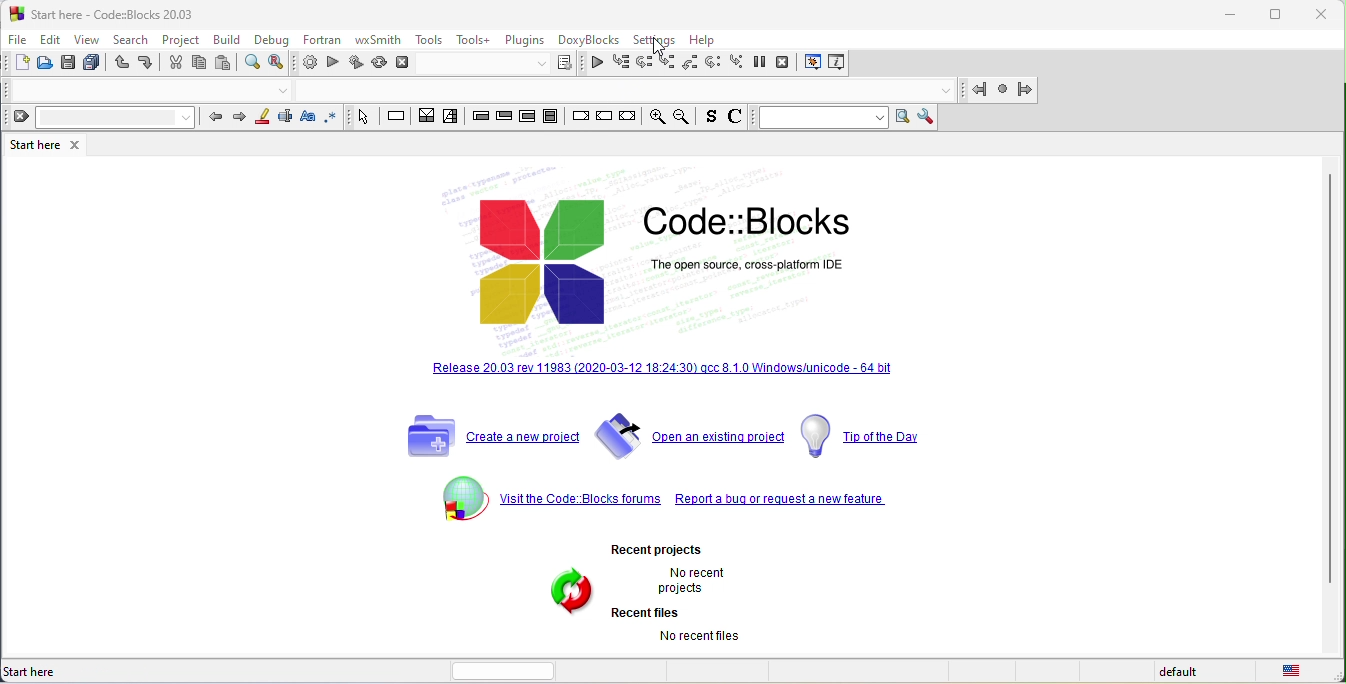  I want to click on abort, so click(405, 61).